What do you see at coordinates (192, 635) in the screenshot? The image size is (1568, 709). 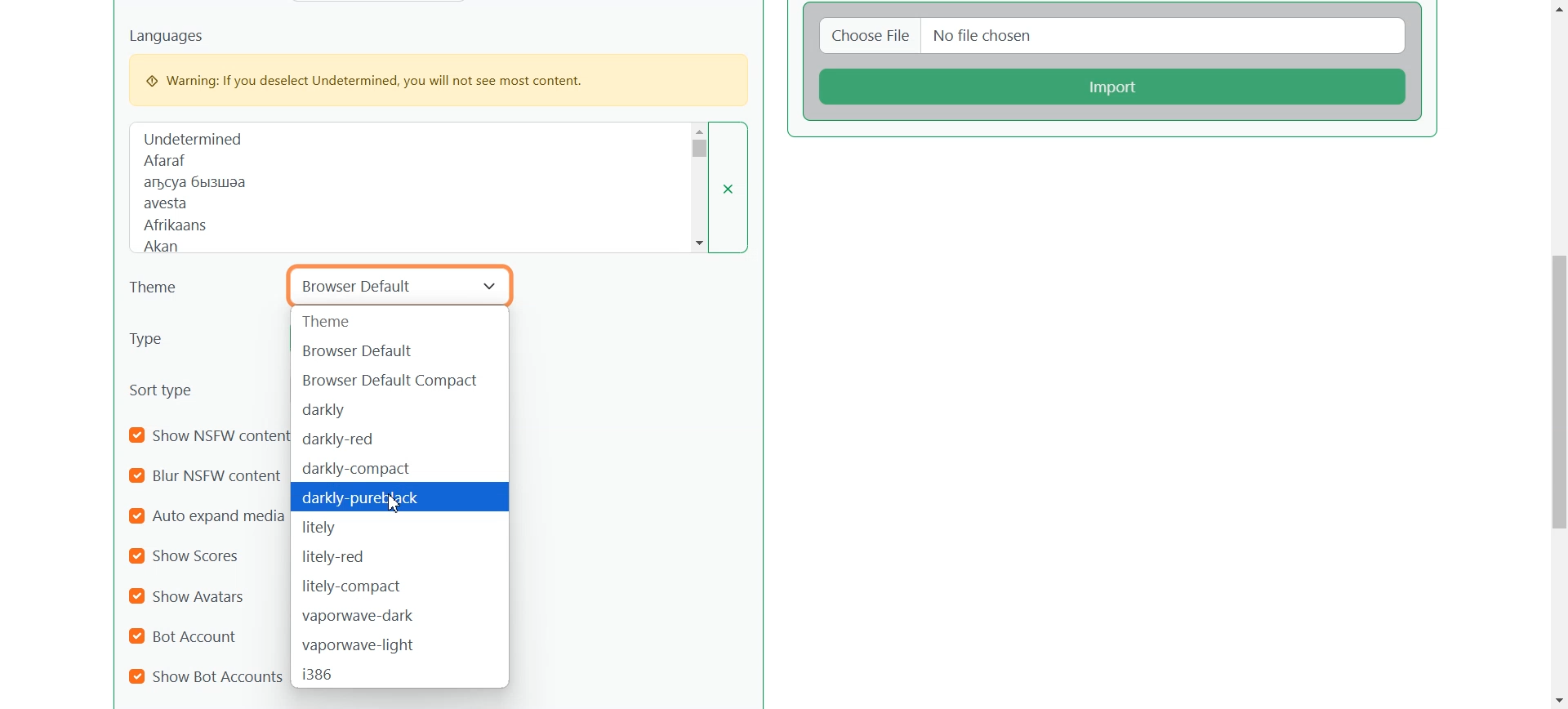 I see ` Bot Account` at bounding box center [192, 635].